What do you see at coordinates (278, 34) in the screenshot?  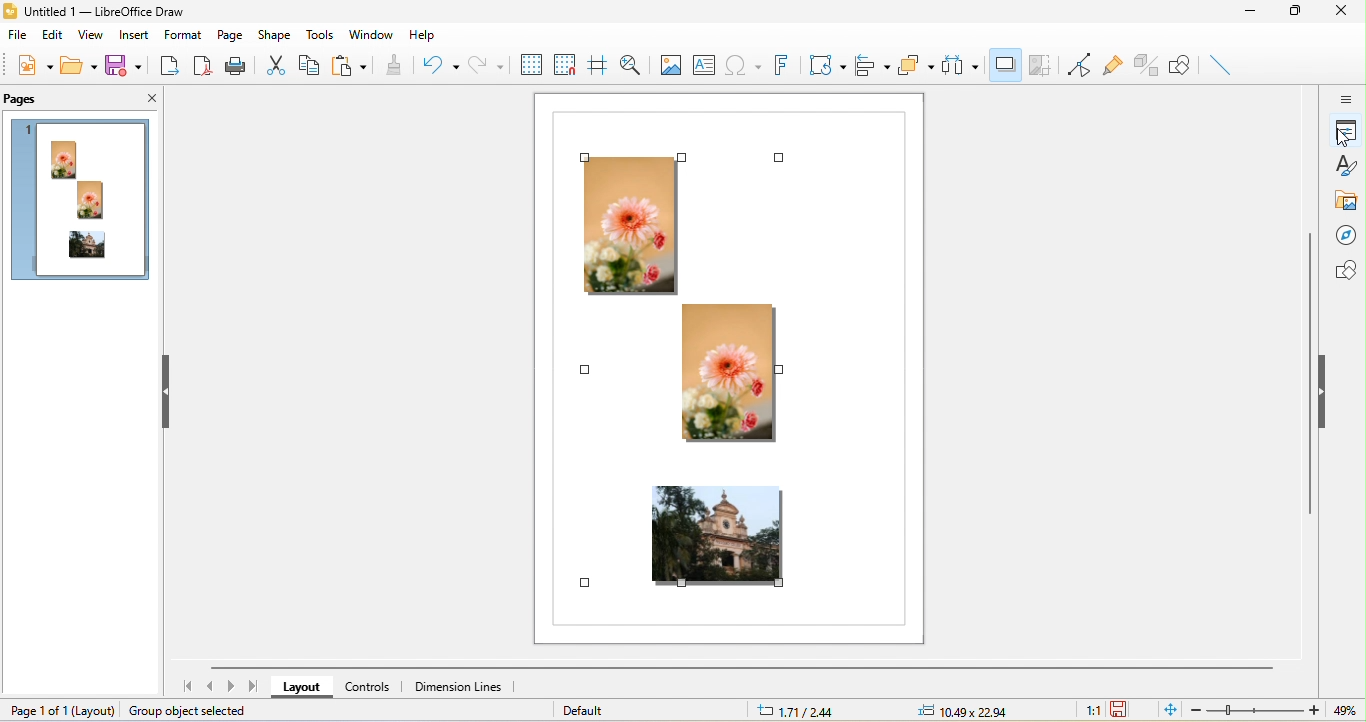 I see `shape` at bounding box center [278, 34].